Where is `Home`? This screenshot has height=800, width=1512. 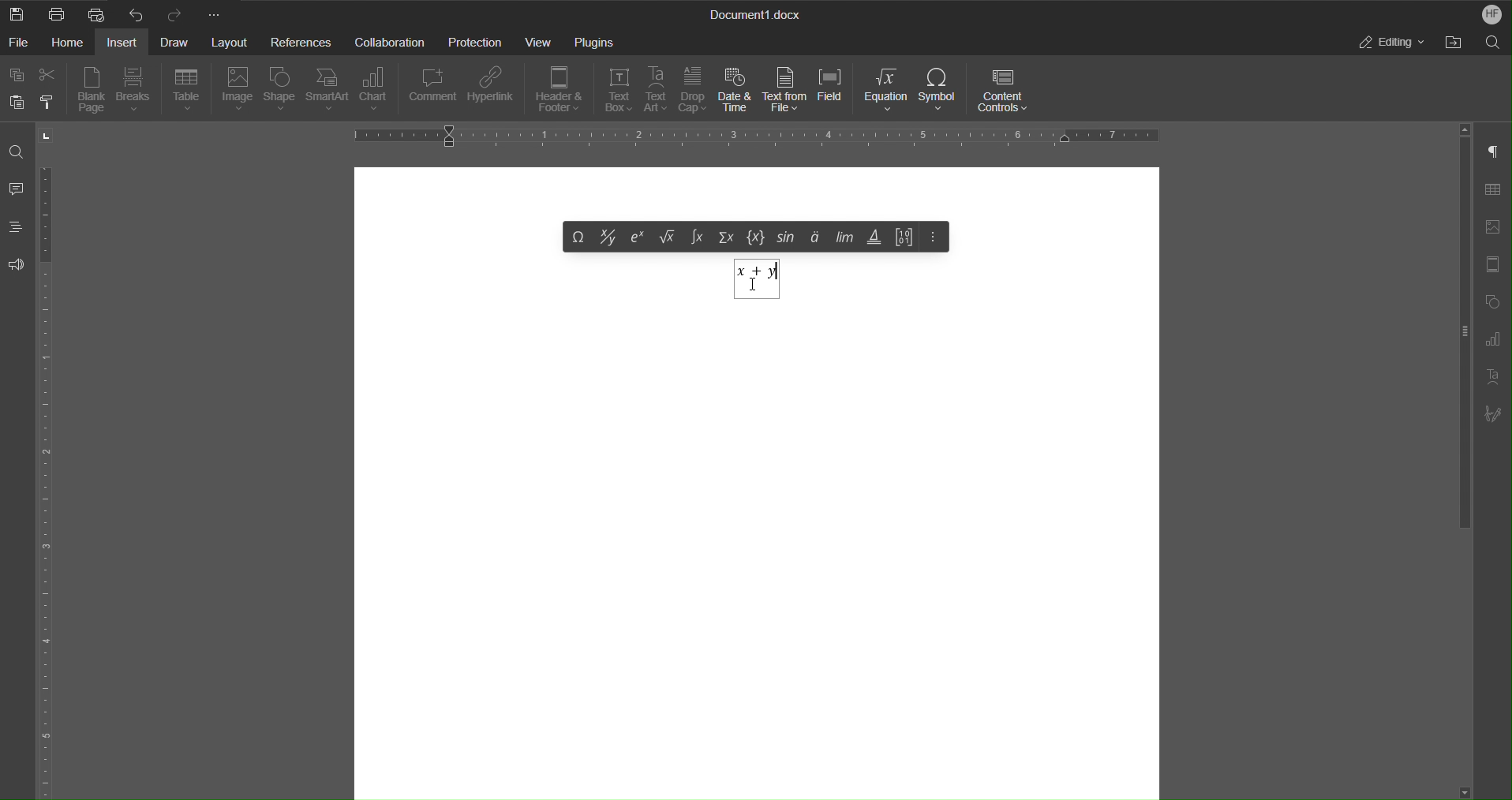 Home is located at coordinates (69, 43).